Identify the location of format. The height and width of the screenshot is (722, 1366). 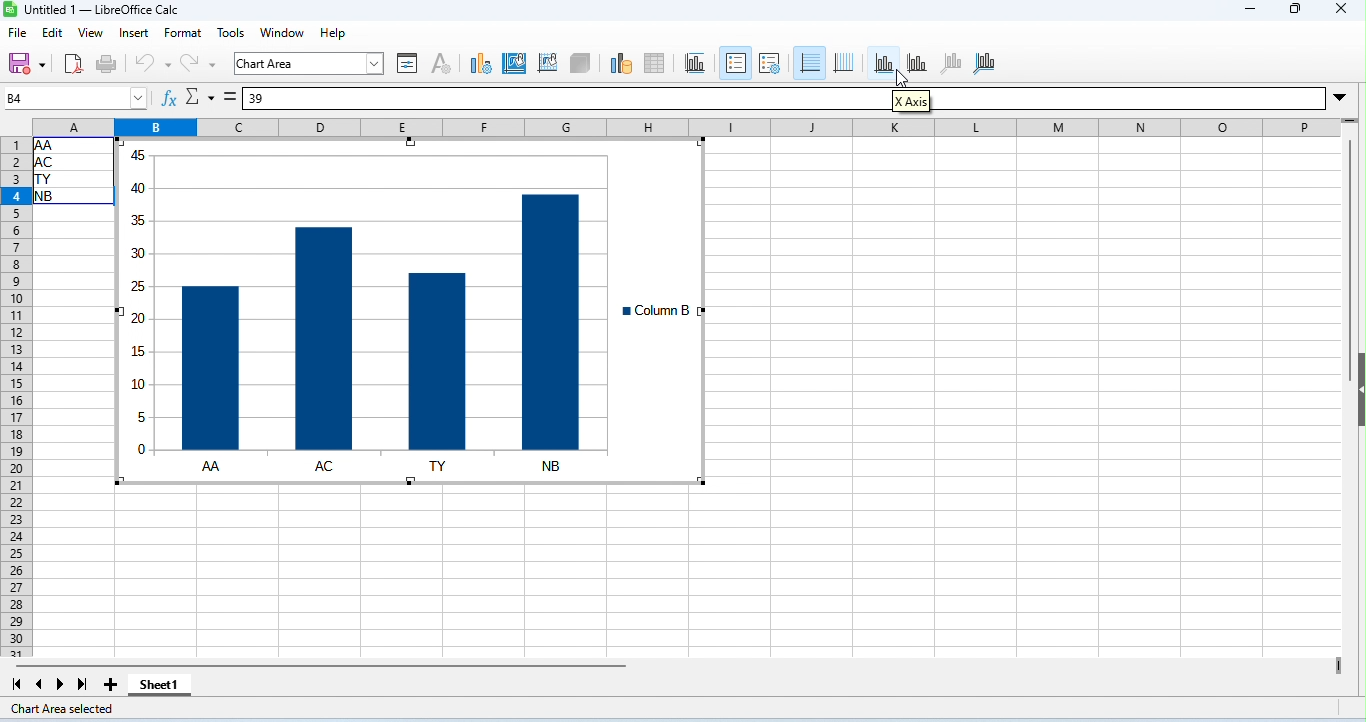
(182, 35).